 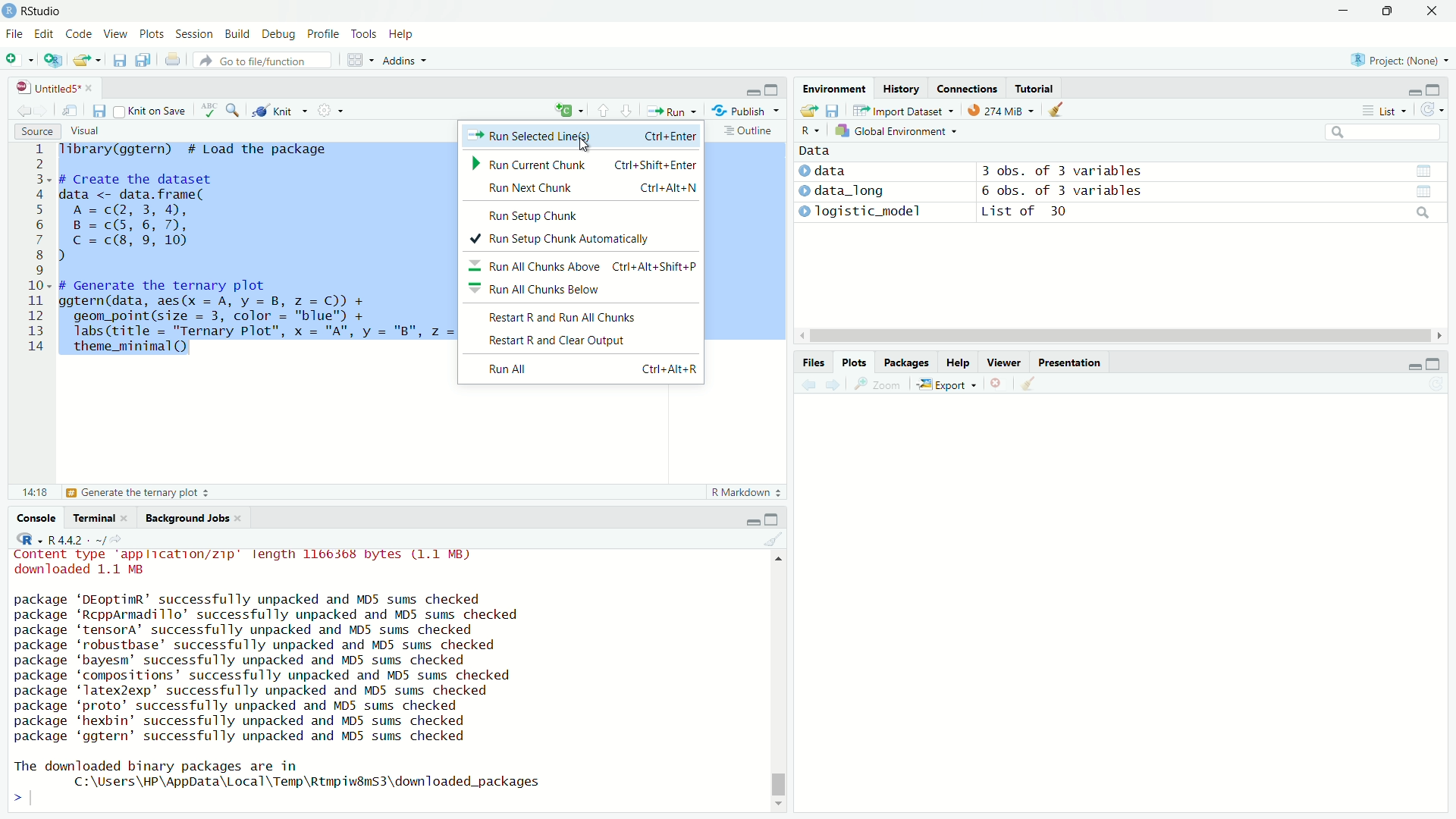 I want to click on Visual, so click(x=83, y=130).